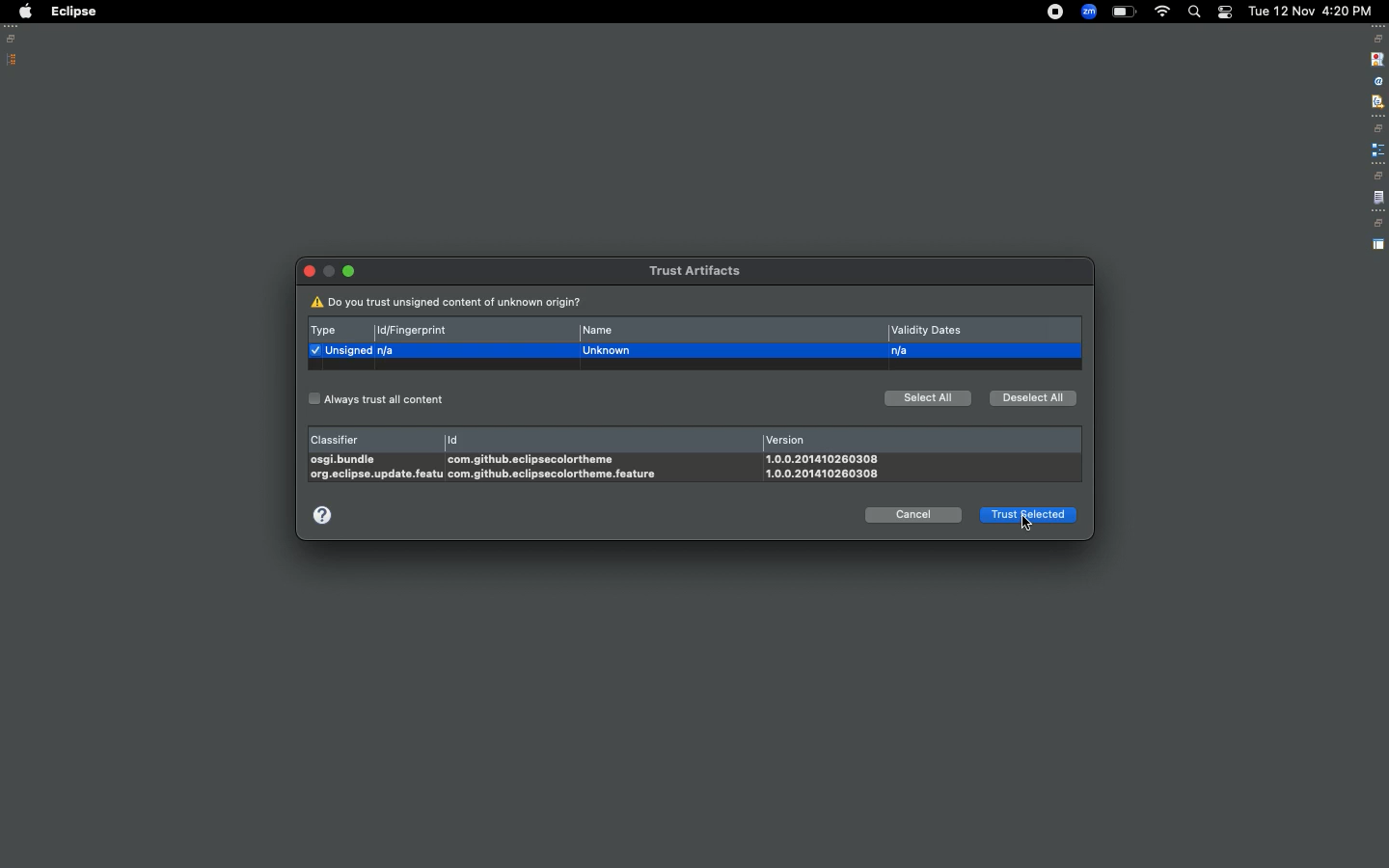 The width and height of the screenshot is (1389, 868). What do you see at coordinates (1377, 224) in the screenshot?
I see `restore` at bounding box center [1377, 224].